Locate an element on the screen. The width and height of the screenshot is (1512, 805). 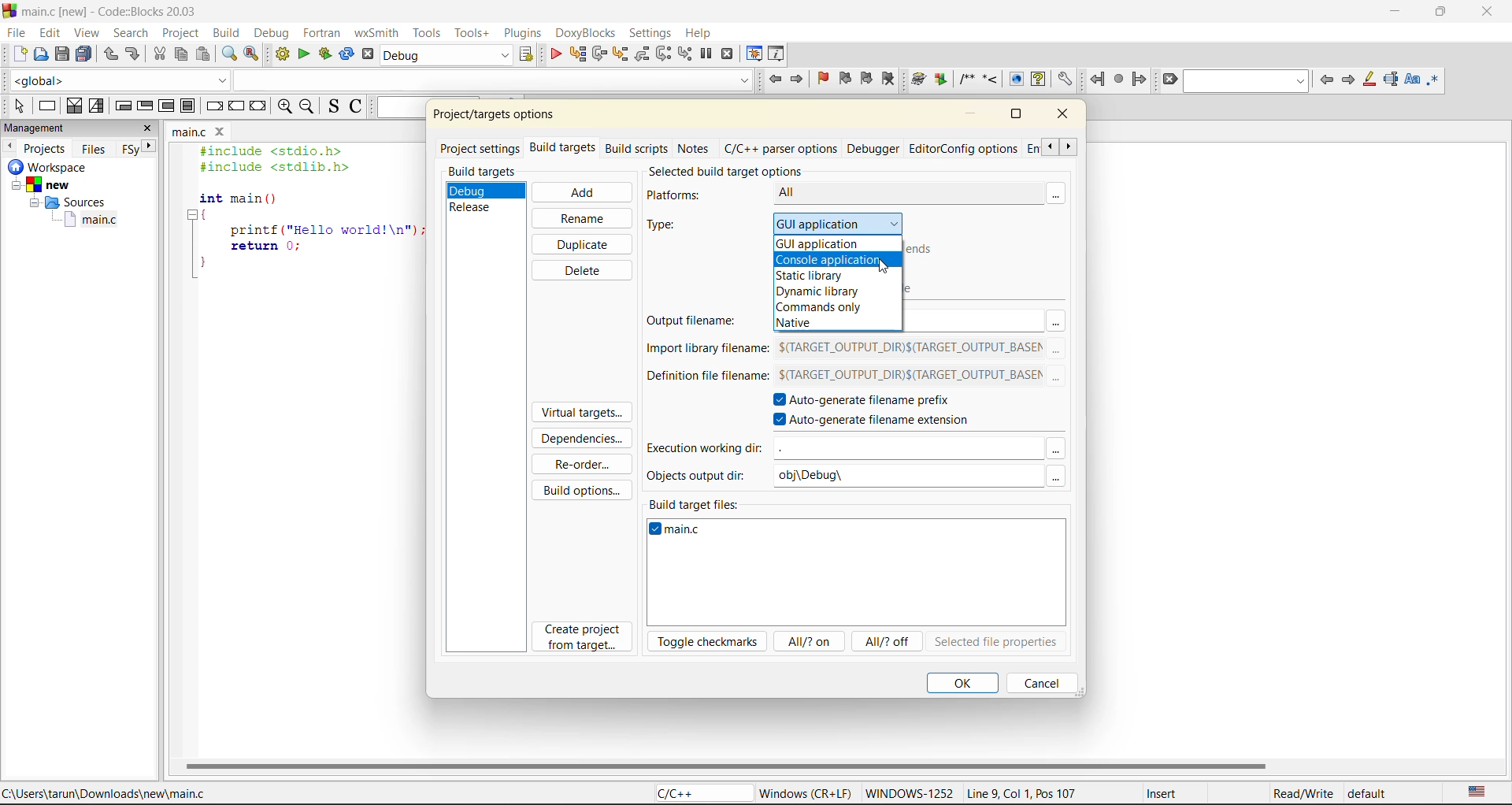
break debugger is located at coordinates (707, 54).